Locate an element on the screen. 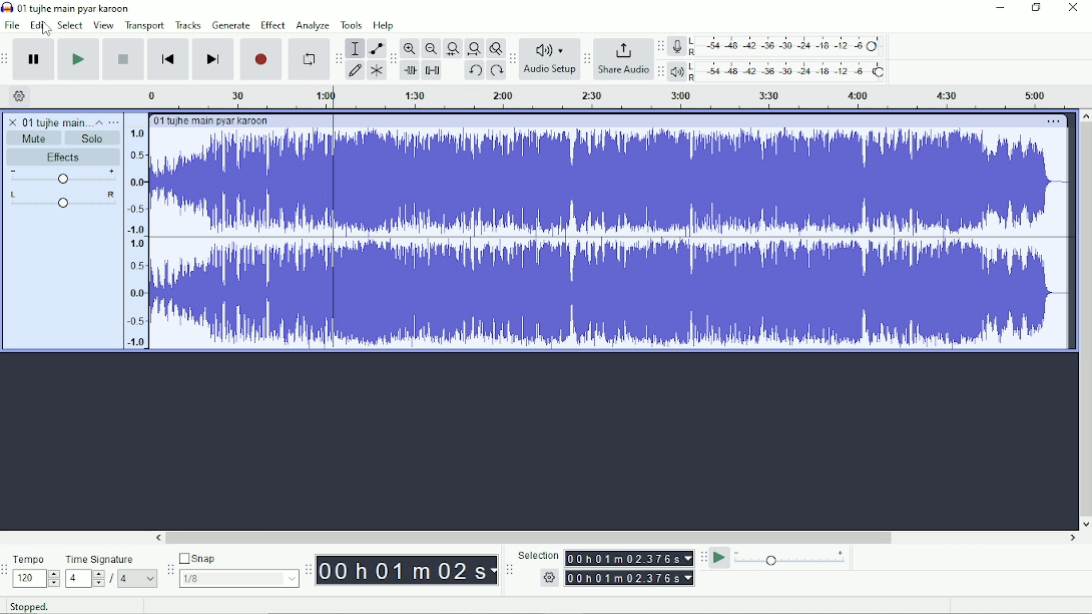 This screenshot has width=1092, height=614. Audacity timetoolbar is located at coordinates (308, 571).